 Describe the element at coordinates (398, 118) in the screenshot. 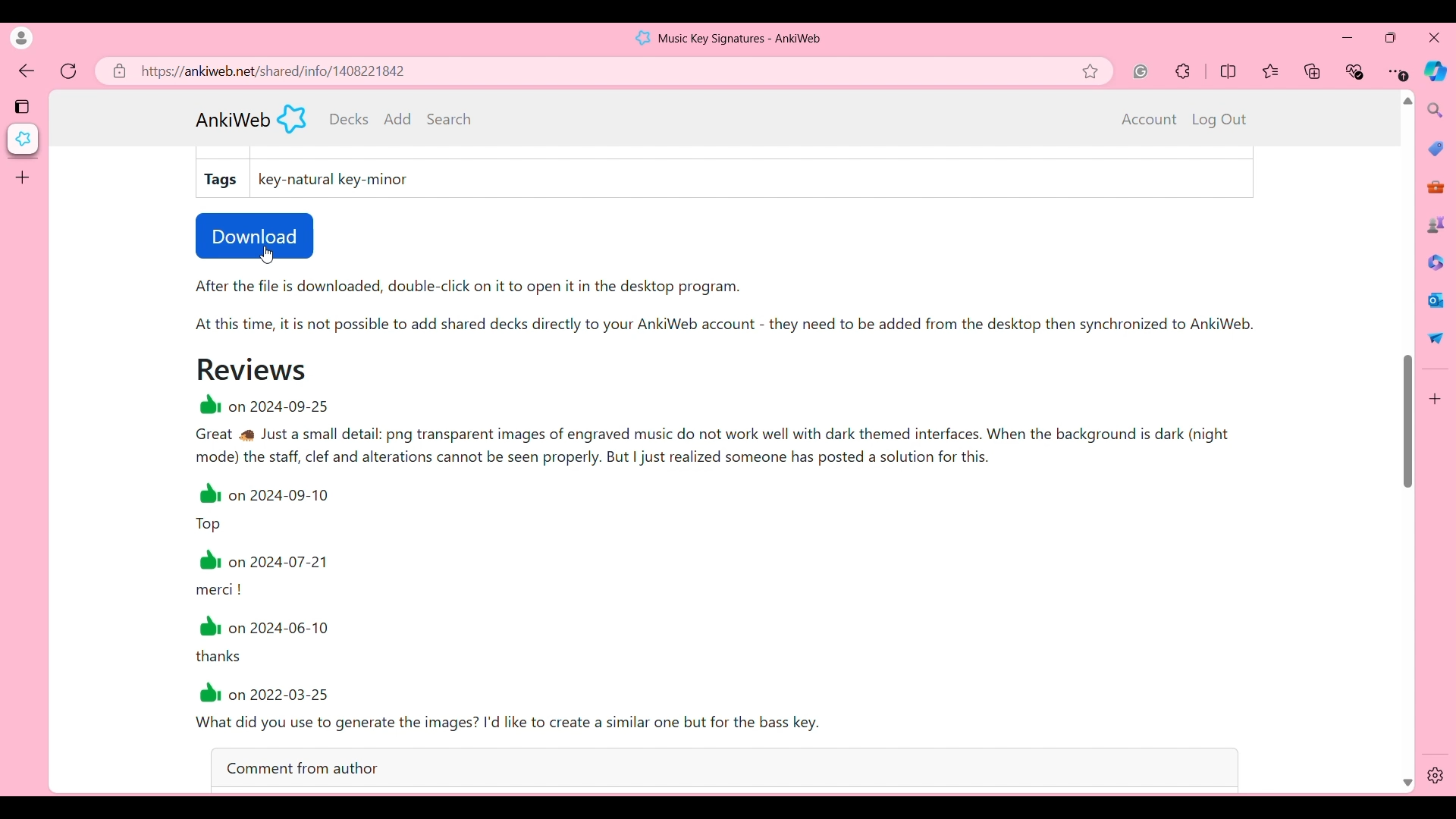

I see `Add` at that location.